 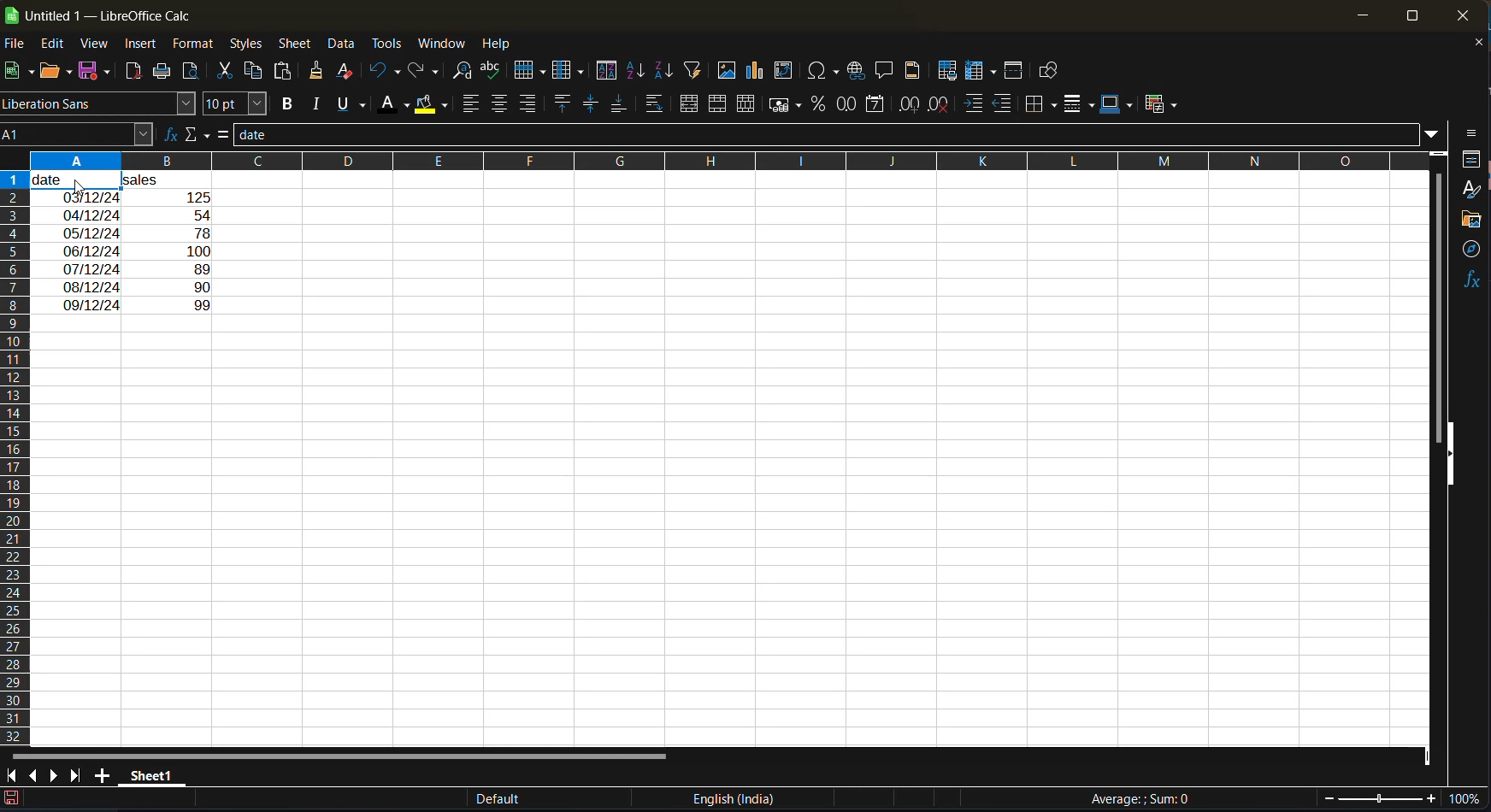 What do you see at coordinates (916, 71) in the screenshot?
I see `headers and footers` at bounding box center [916, 71].